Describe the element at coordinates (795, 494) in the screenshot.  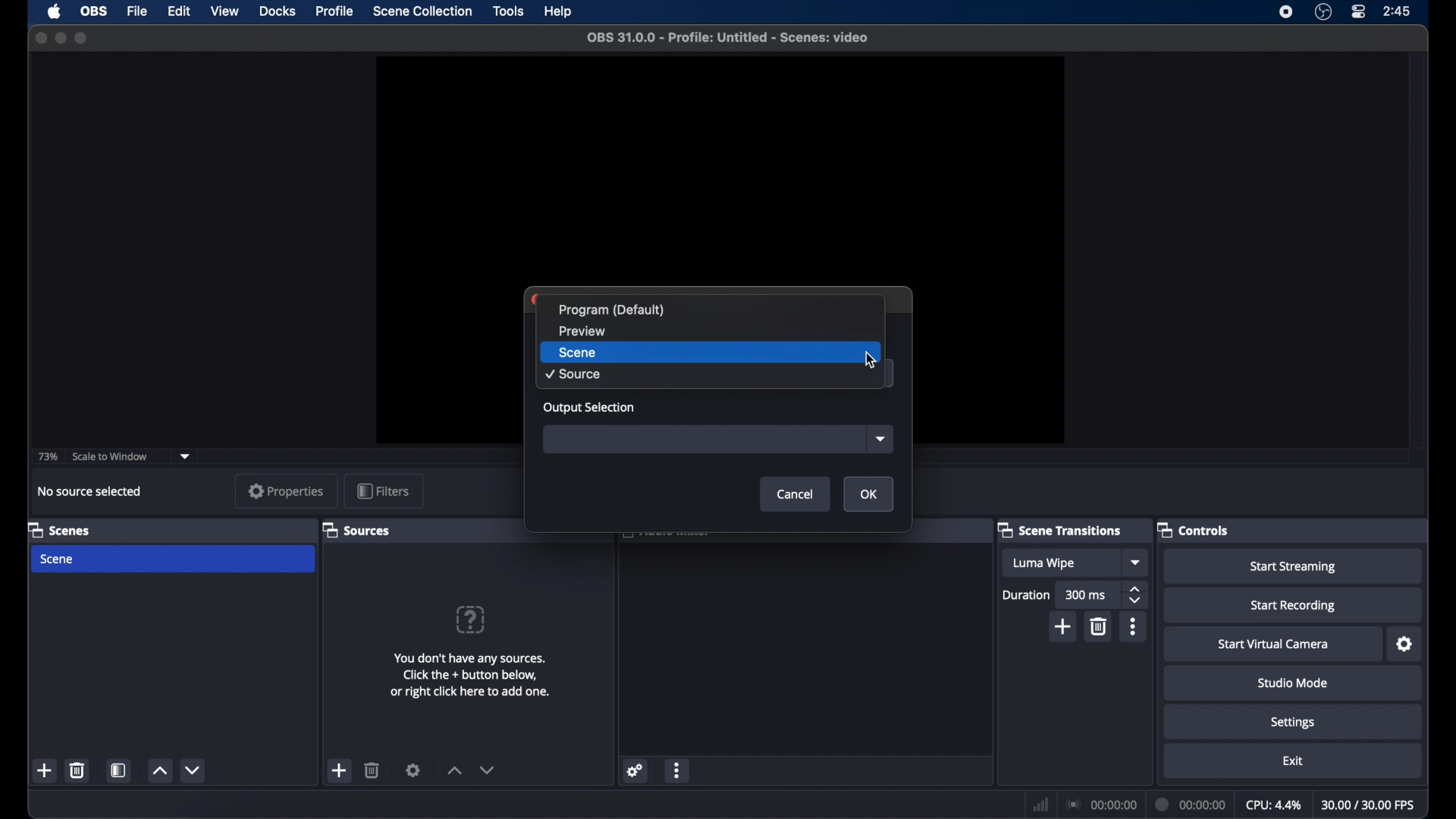
I see `cancel` at that location.